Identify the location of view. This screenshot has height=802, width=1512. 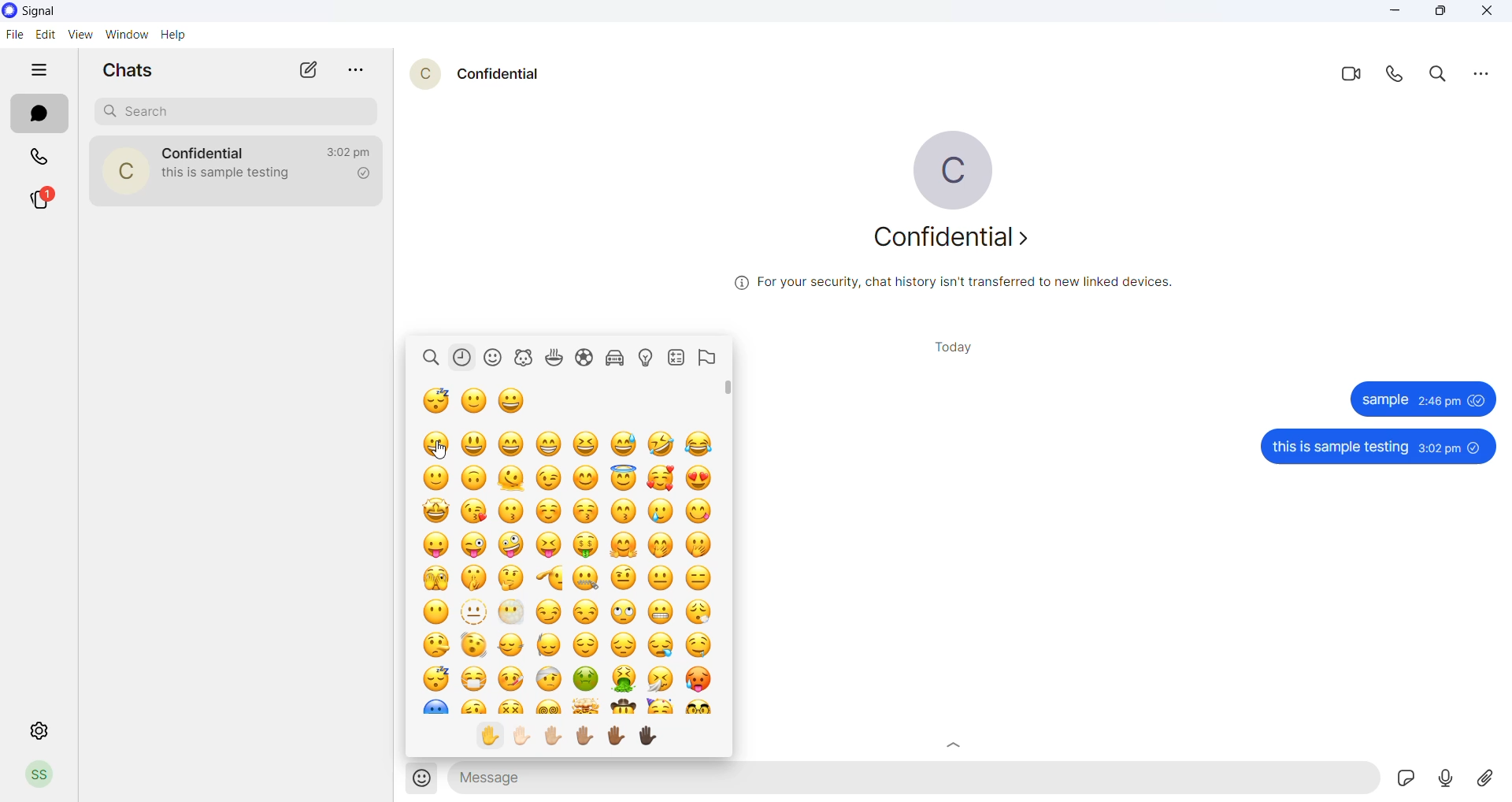
(84, 34).